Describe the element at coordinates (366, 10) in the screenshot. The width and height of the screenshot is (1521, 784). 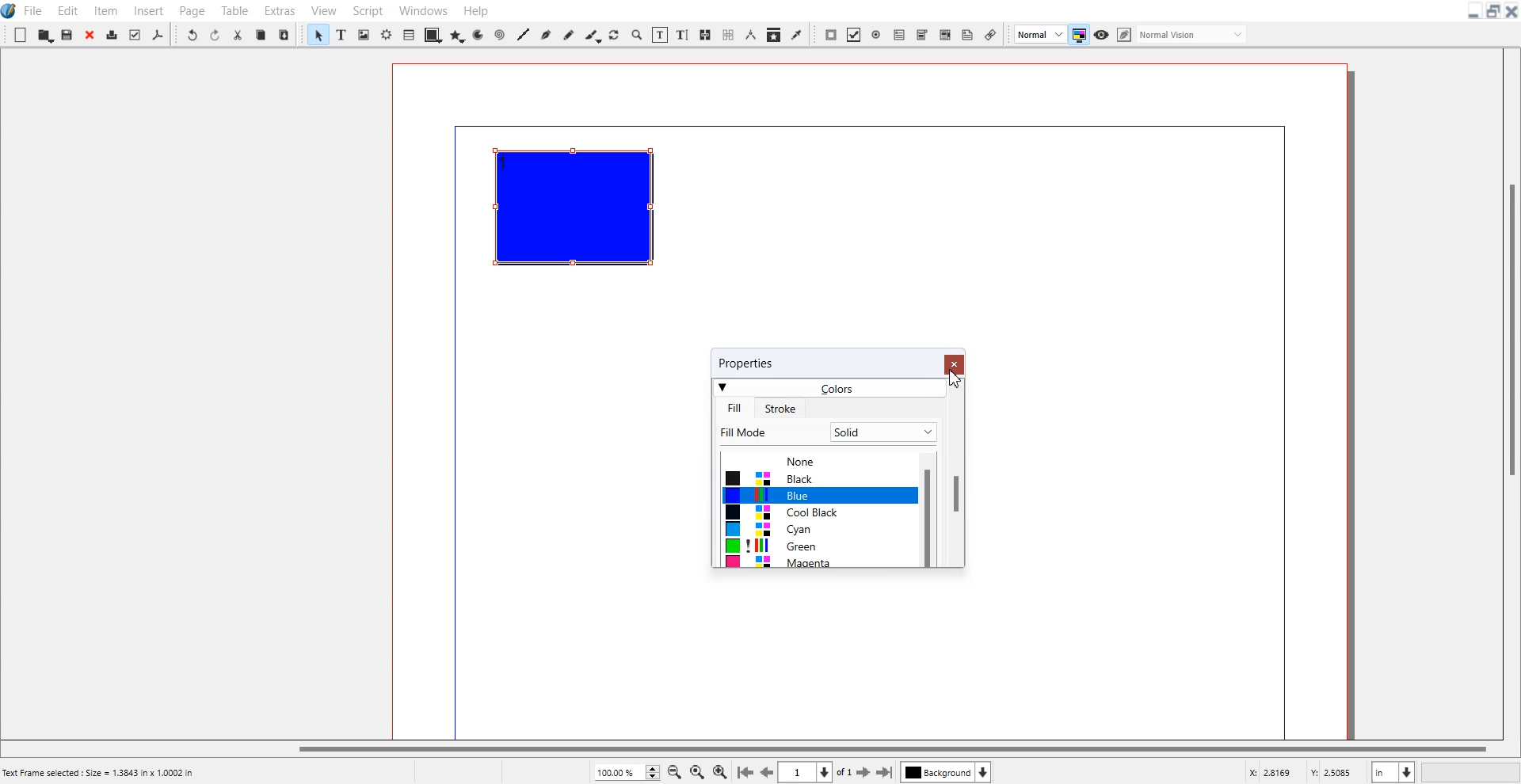
I see `Script` at that location.